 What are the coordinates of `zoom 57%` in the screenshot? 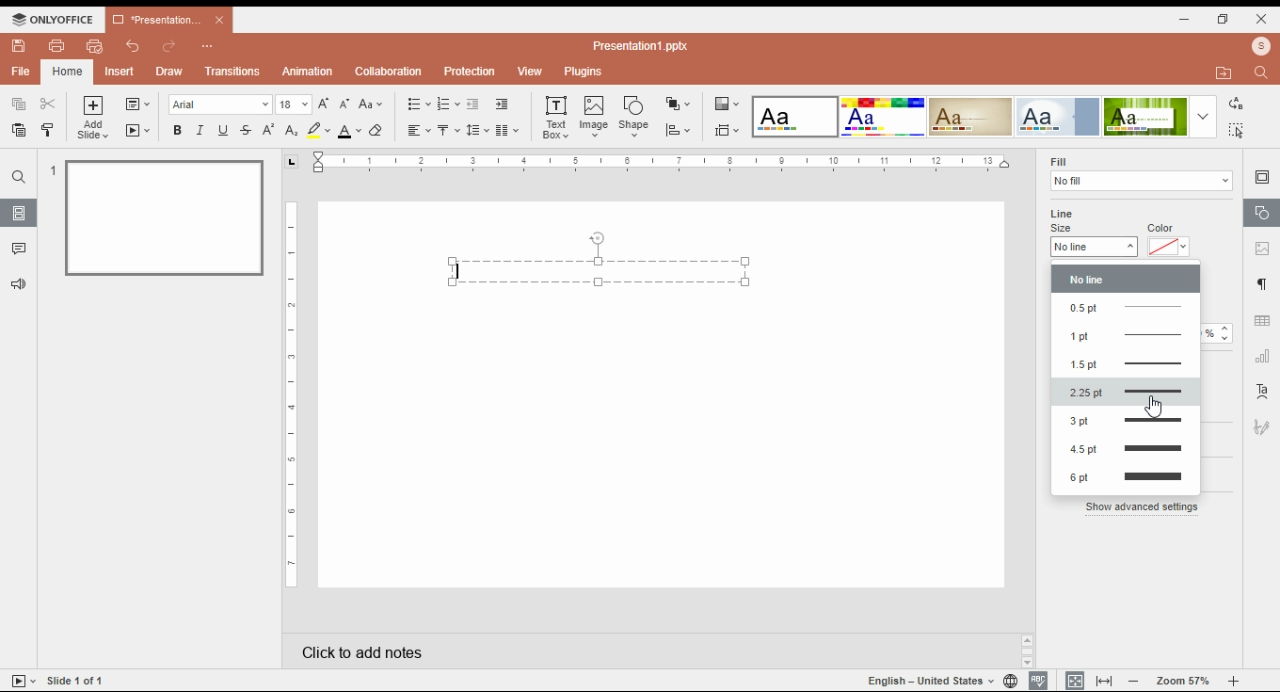 It's located at (1183, 682).